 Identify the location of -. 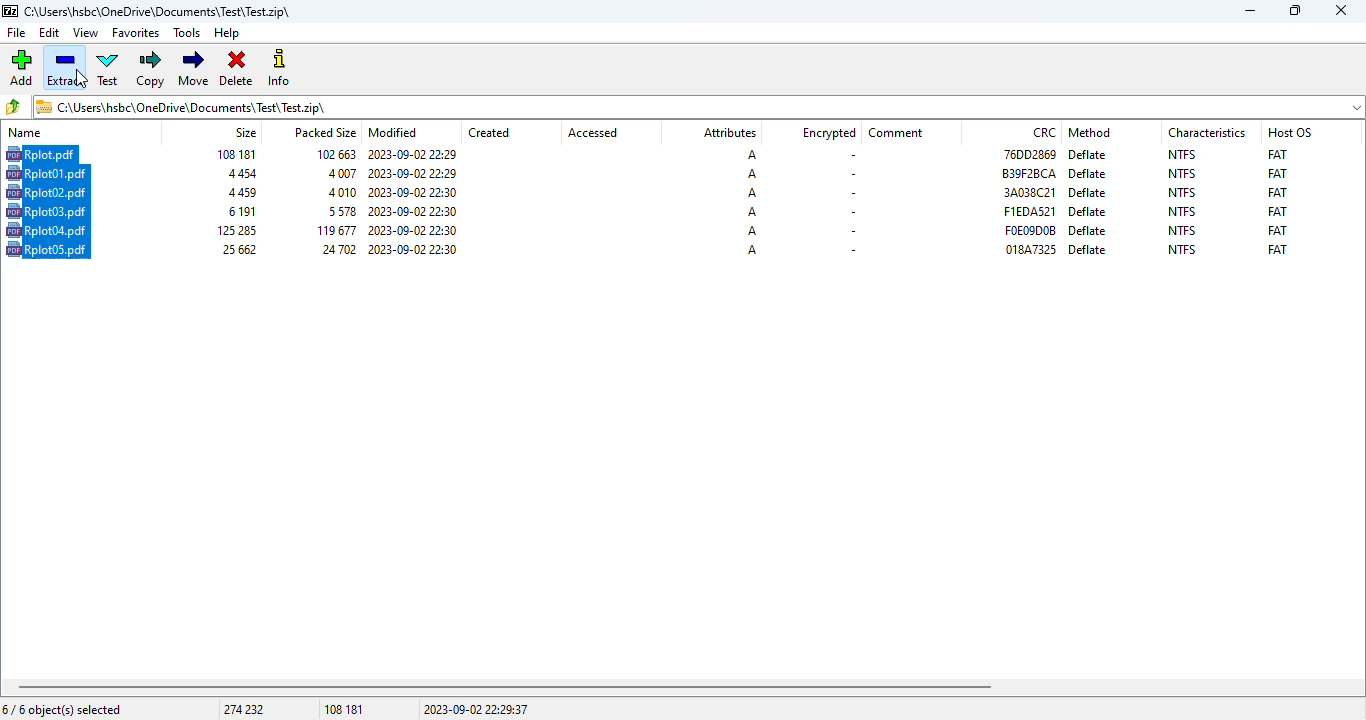
(851, 231).